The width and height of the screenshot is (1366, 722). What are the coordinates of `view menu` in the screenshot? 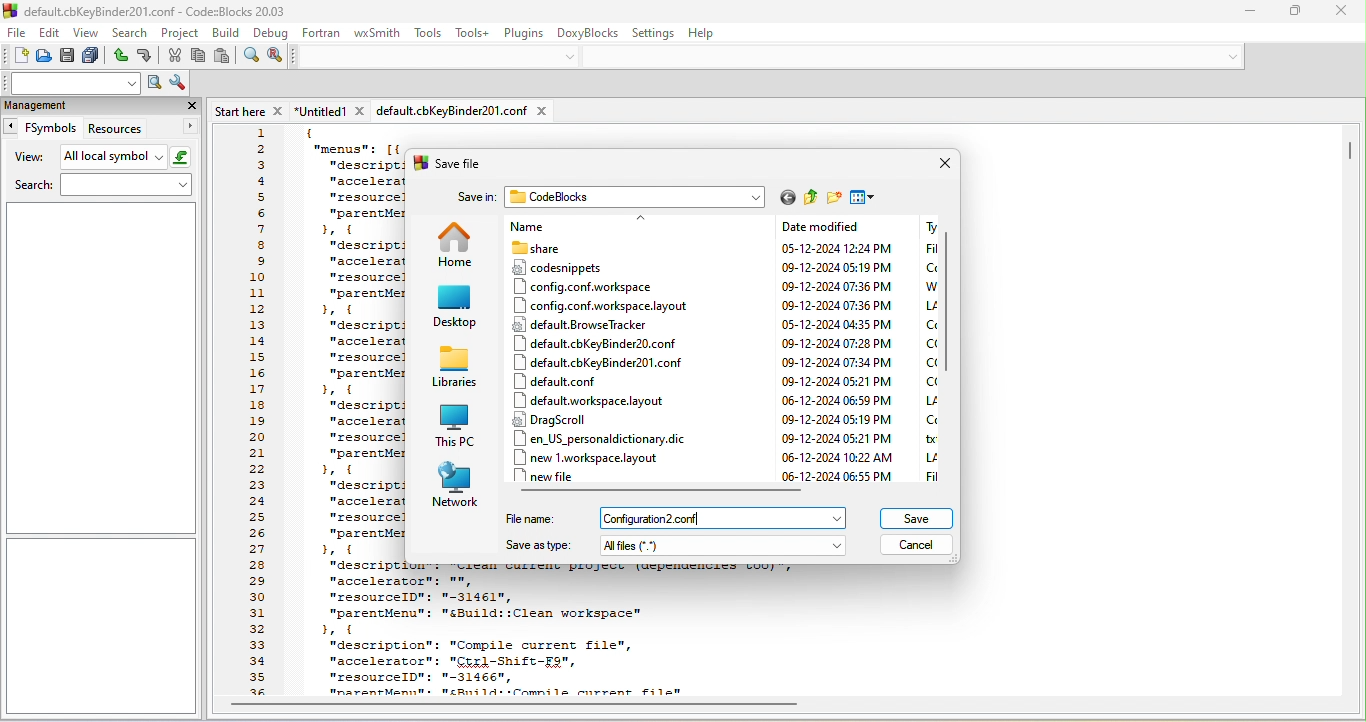 It's located at (862, 197).